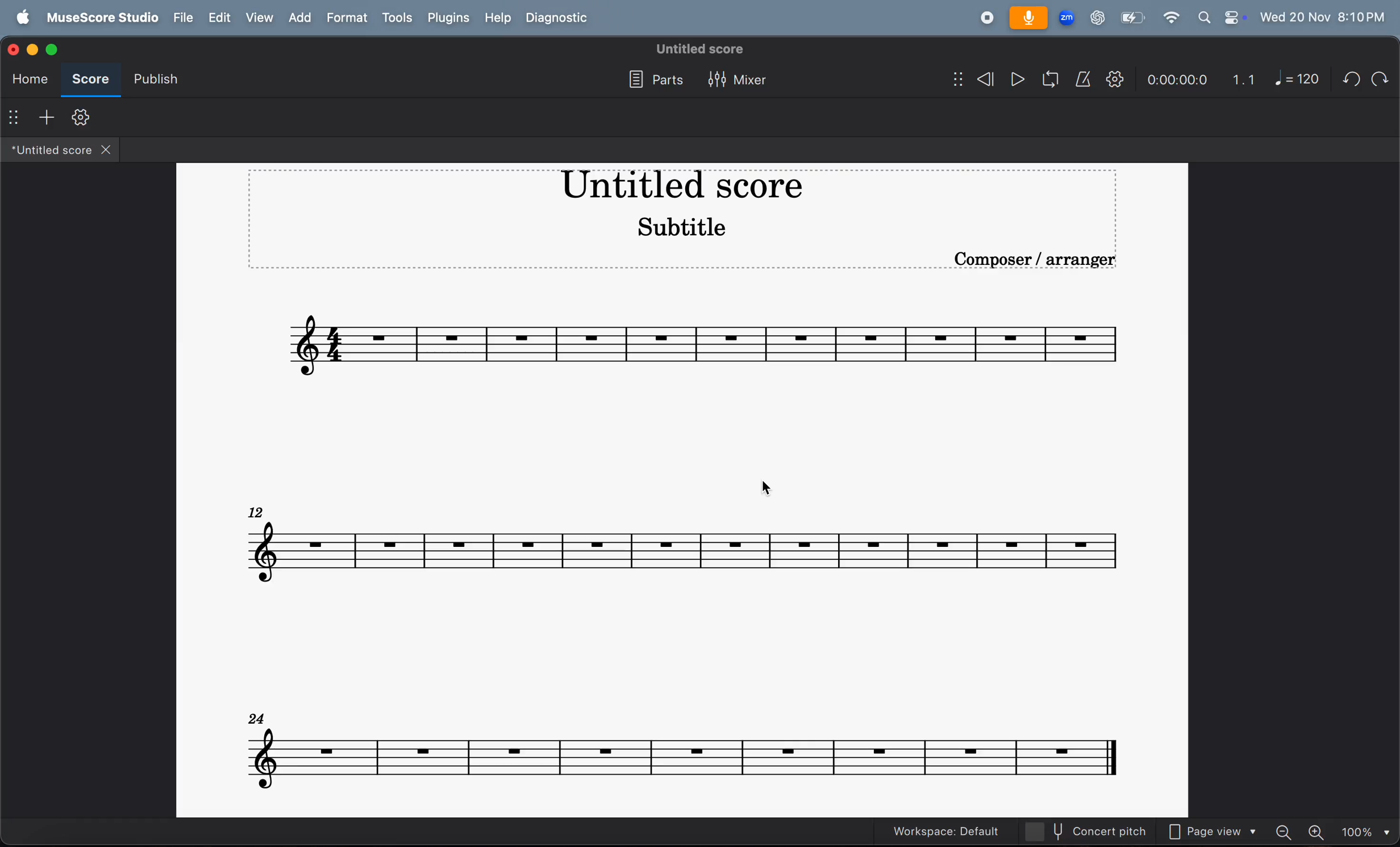 This screenshot has width=1400, height=847. I want to click on plugons, so click(450, 18).